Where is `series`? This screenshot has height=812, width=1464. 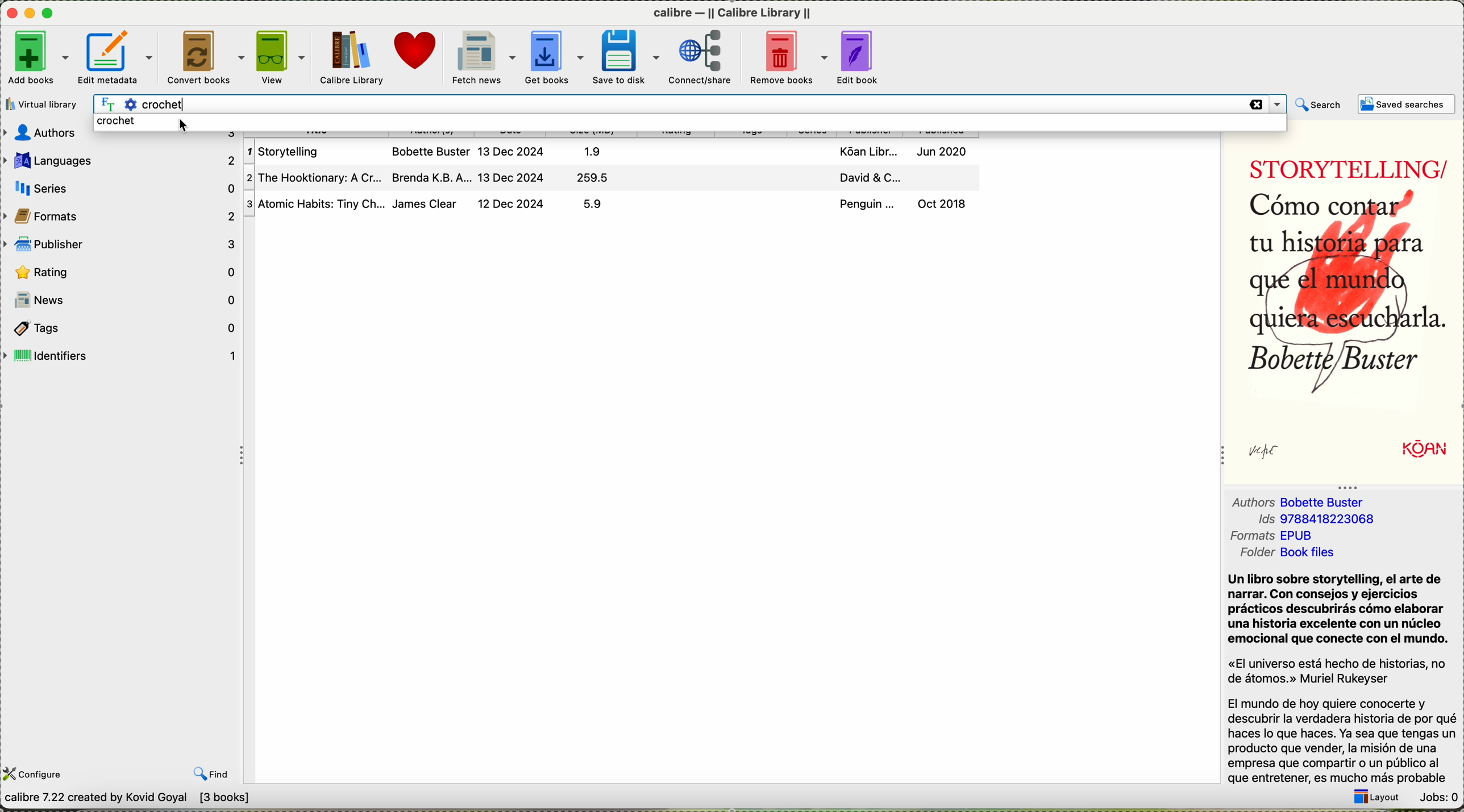 series is located at coordinates (124, 188).